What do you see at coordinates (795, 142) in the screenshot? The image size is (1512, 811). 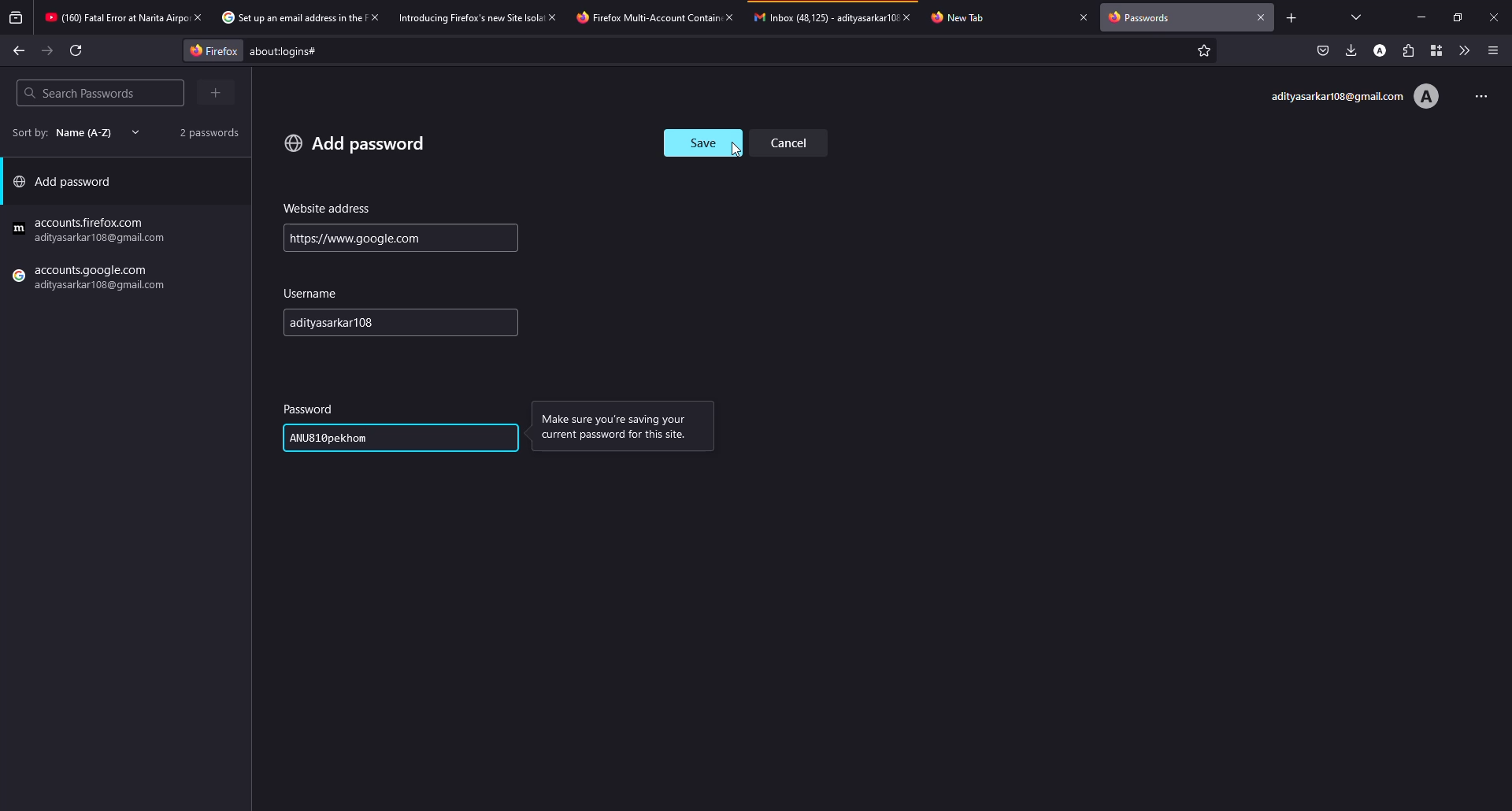 I see `cancel` at bounding box center [795, 142].